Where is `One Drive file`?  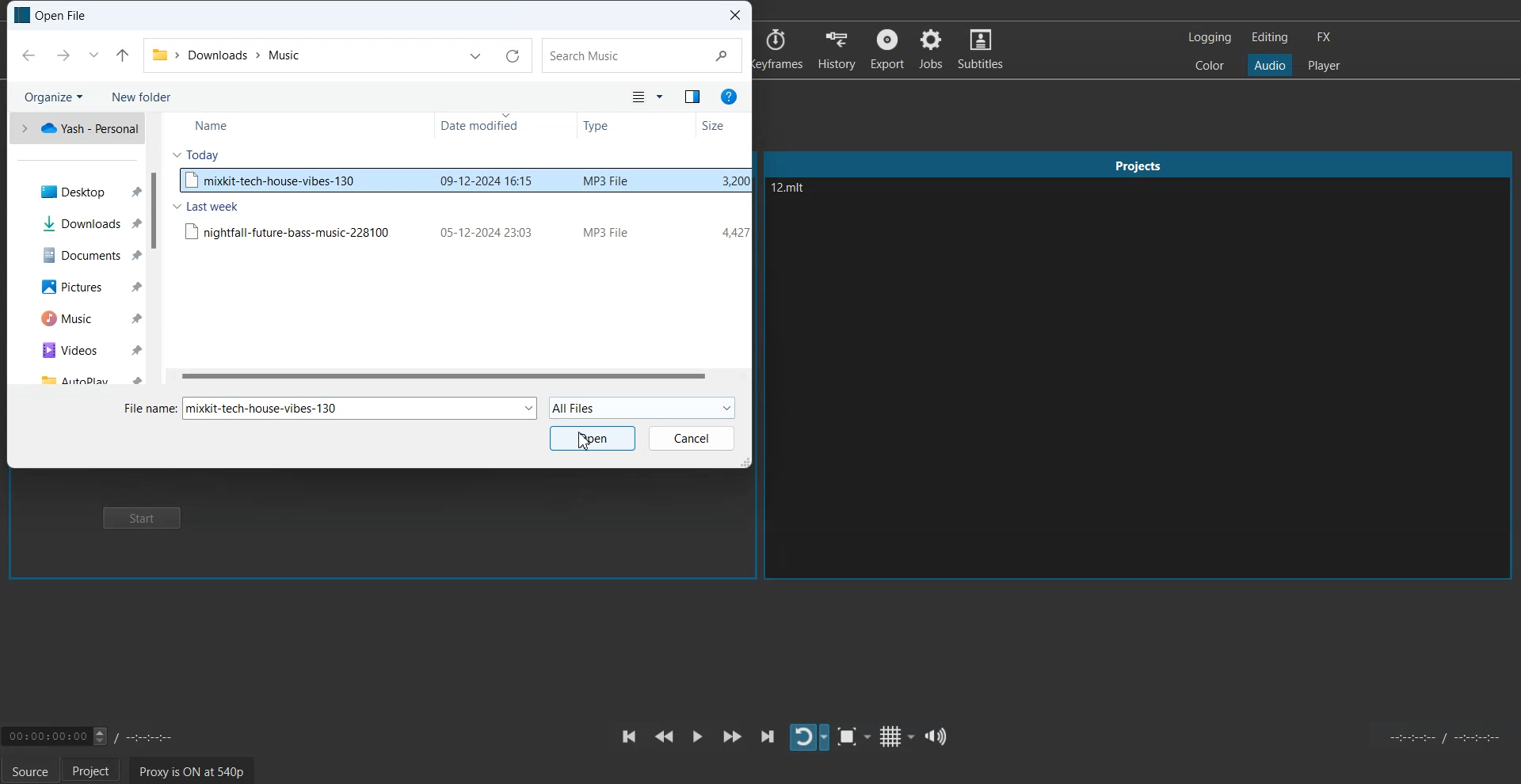
One Drive file is located at coordinates (75, 127).